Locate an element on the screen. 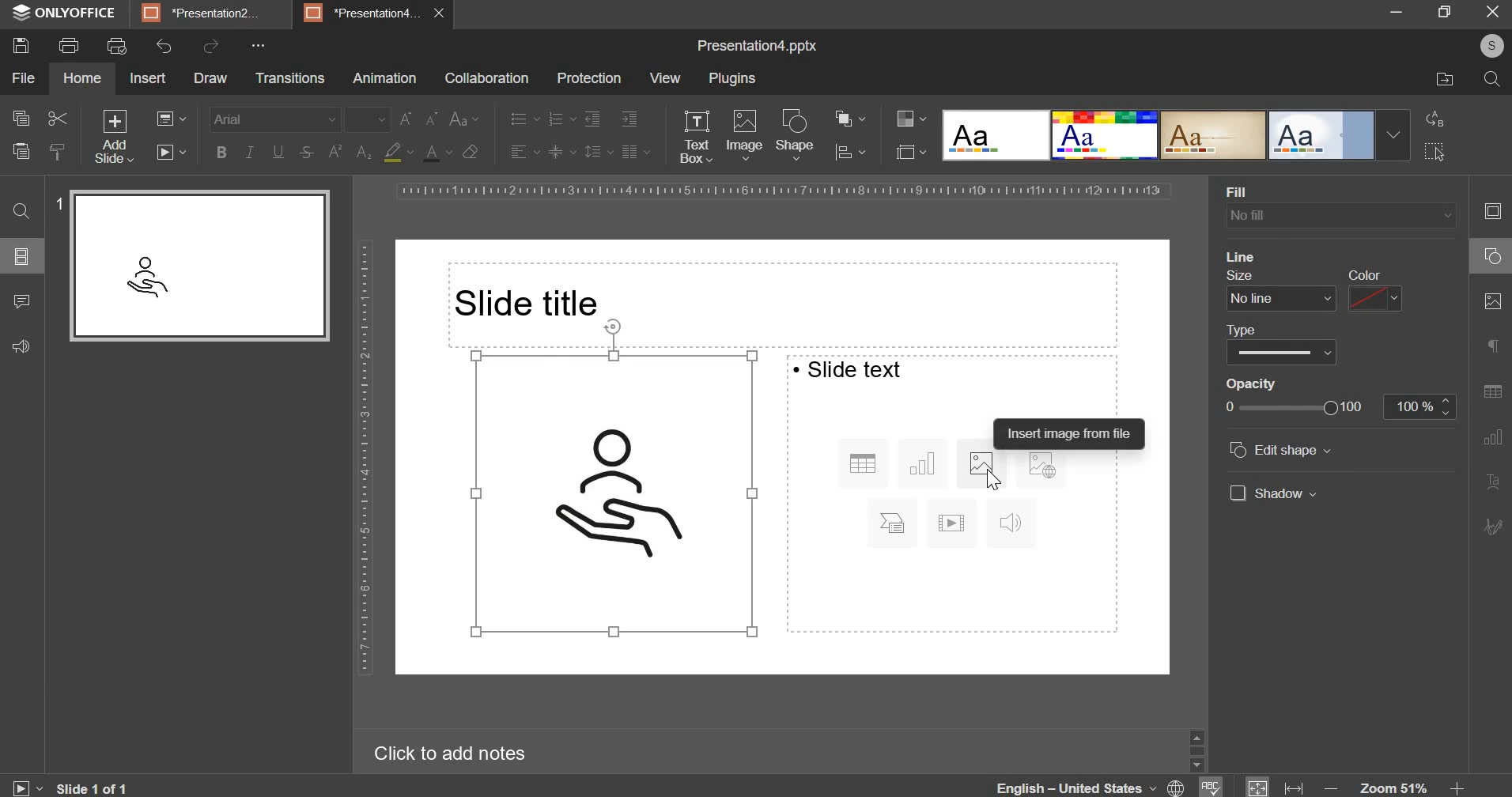  plugins is located at coordinates (731, 77).